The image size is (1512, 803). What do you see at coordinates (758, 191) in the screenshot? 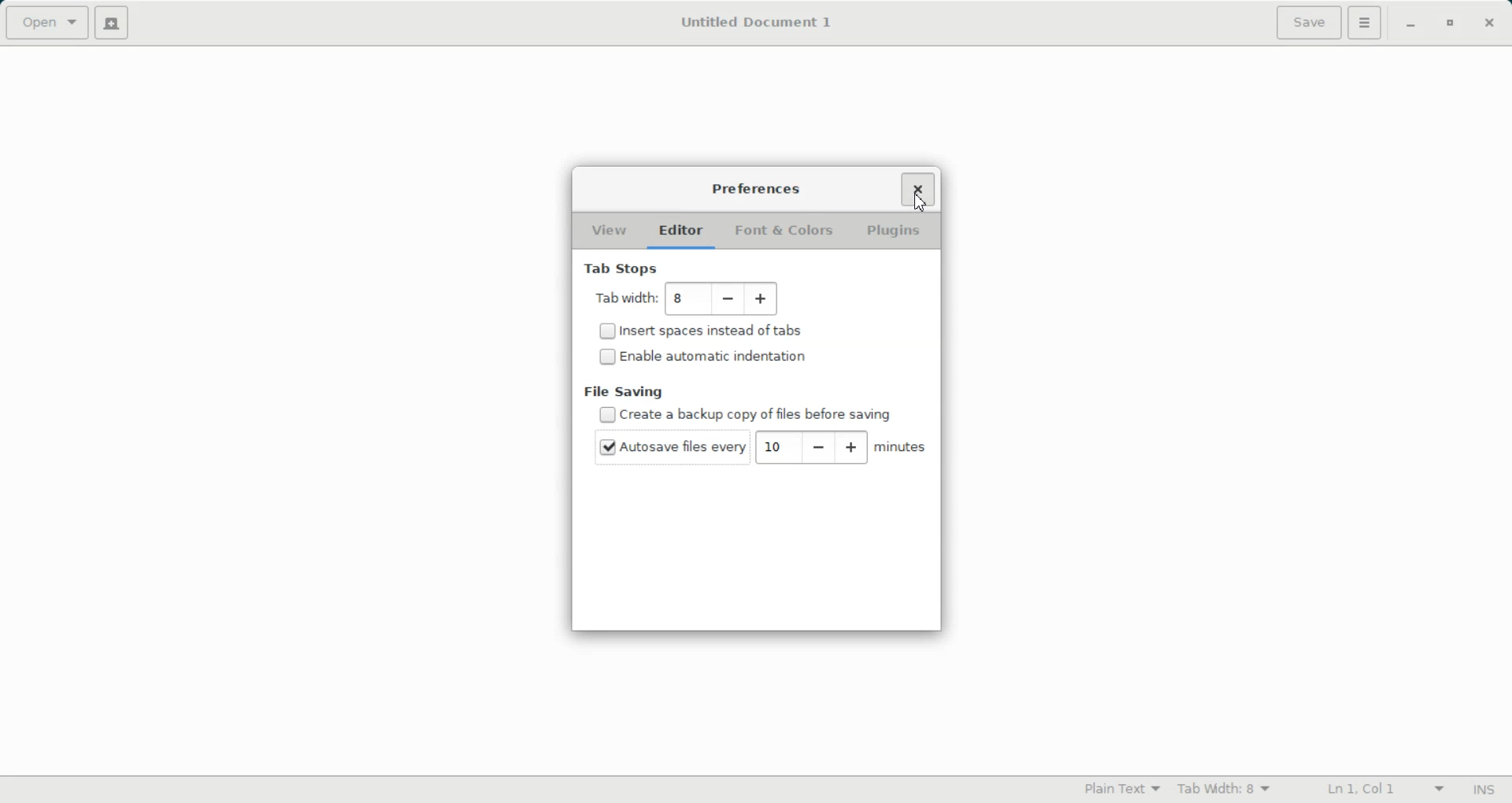
I see `Preferences` at bounding box center [758, 191].